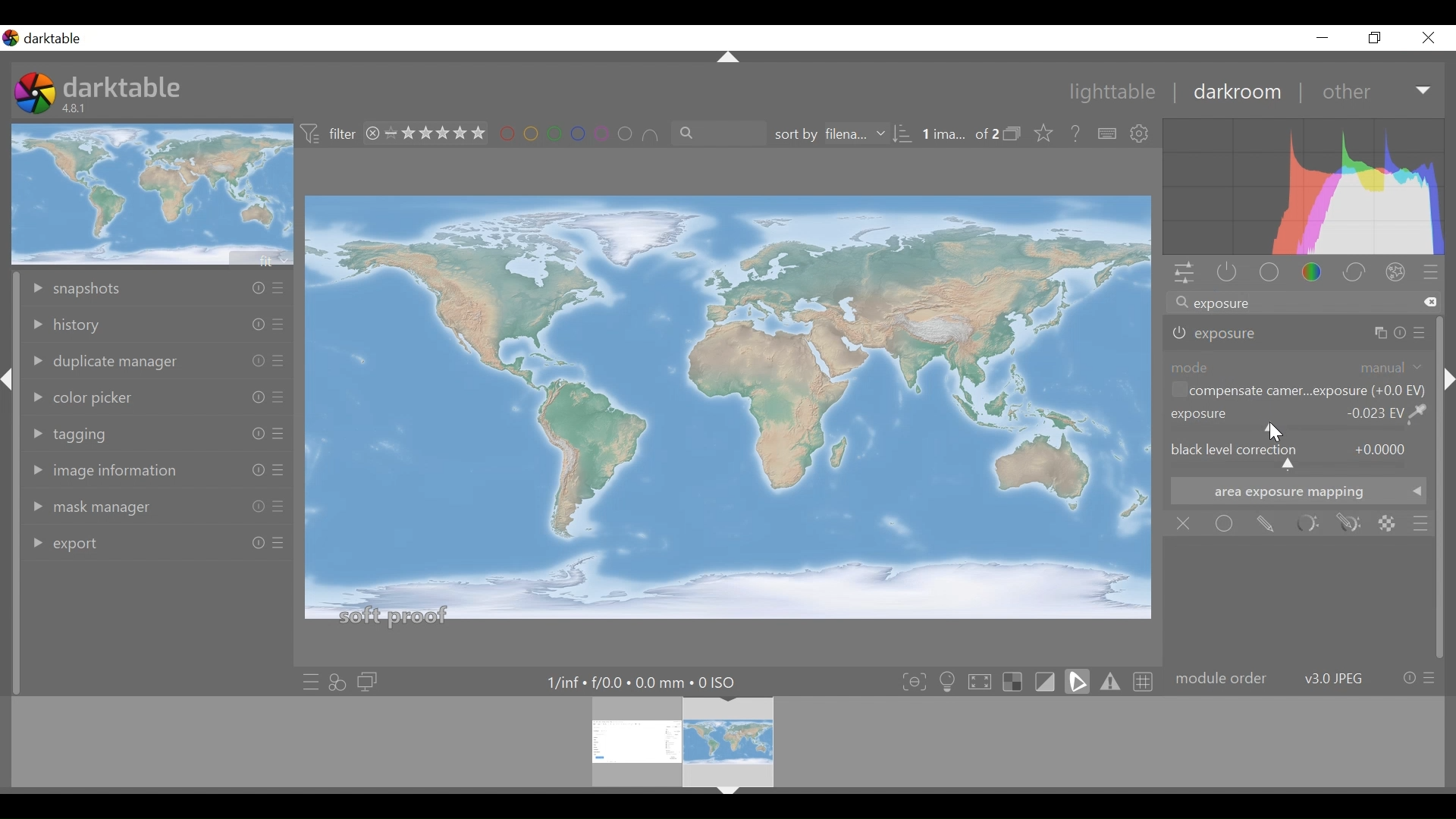 The width and height of the screenshot is (1456, 819). I want to click on define shortcuts, so click(1108, 134).